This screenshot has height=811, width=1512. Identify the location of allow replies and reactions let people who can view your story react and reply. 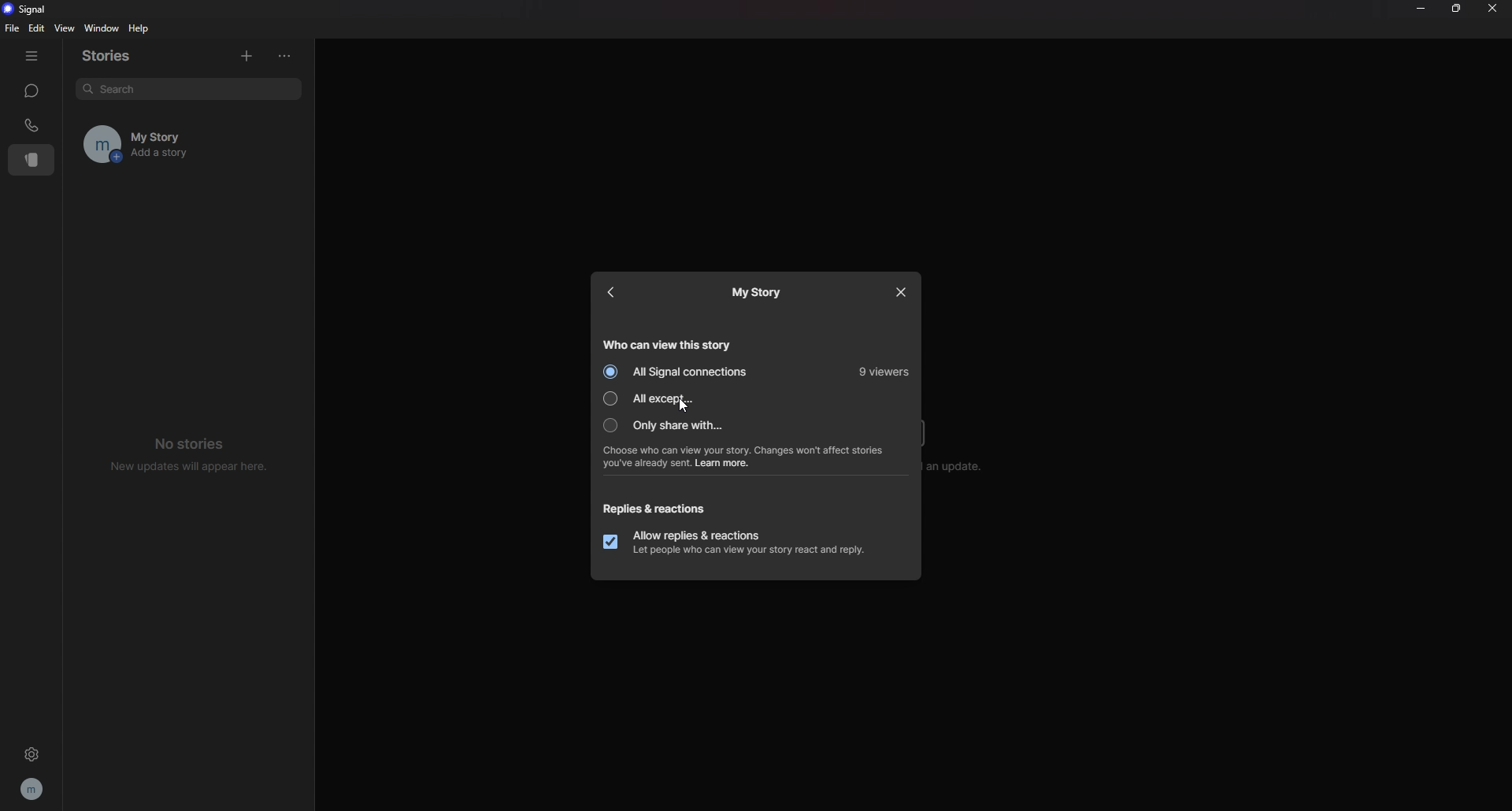
(739, 542).